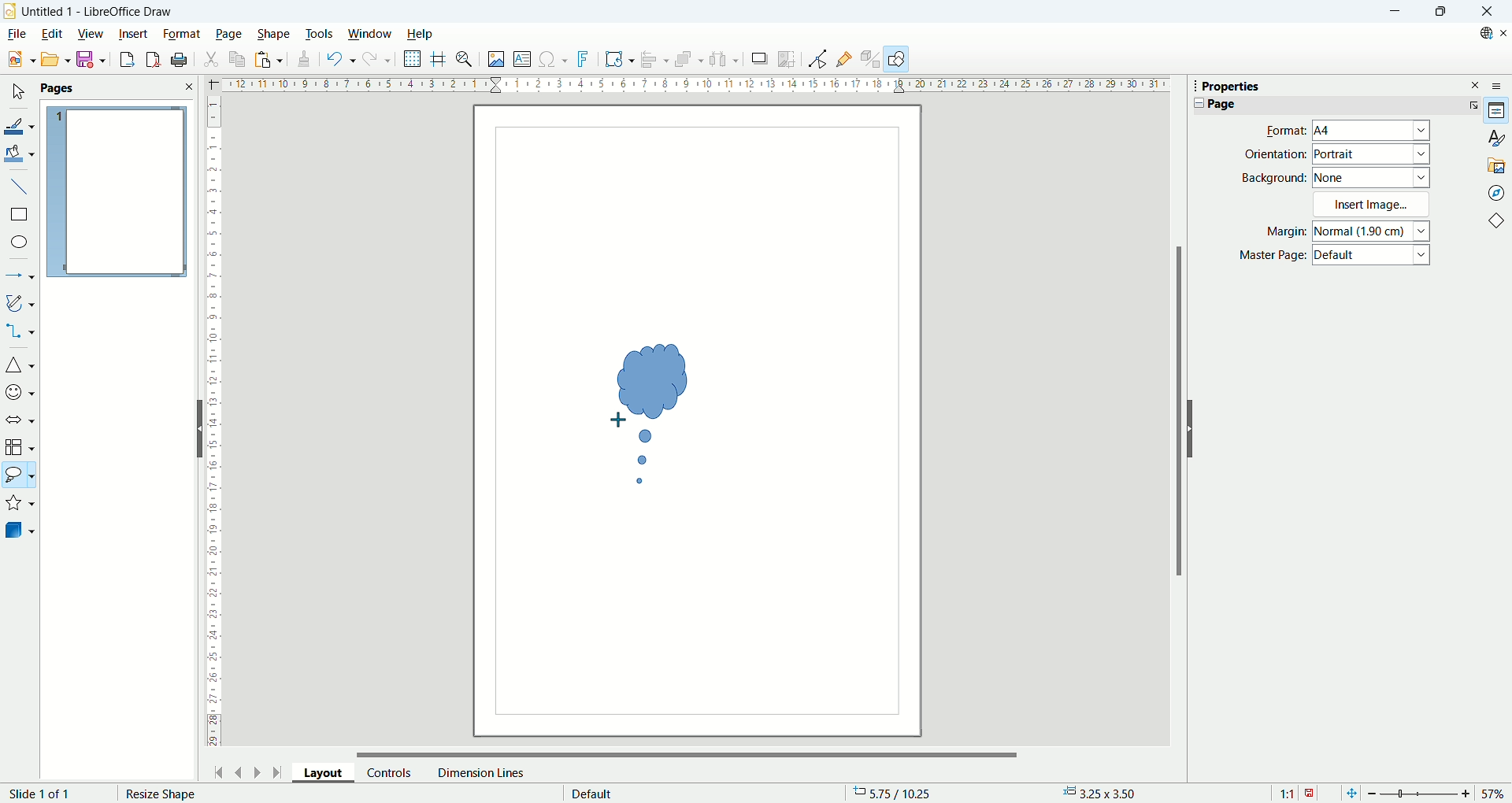 The image size is (1512, 803). What do you see at coordinates (817, 59) in the screenshot?
I see `point edit mode` at bounding box center [817, 59].